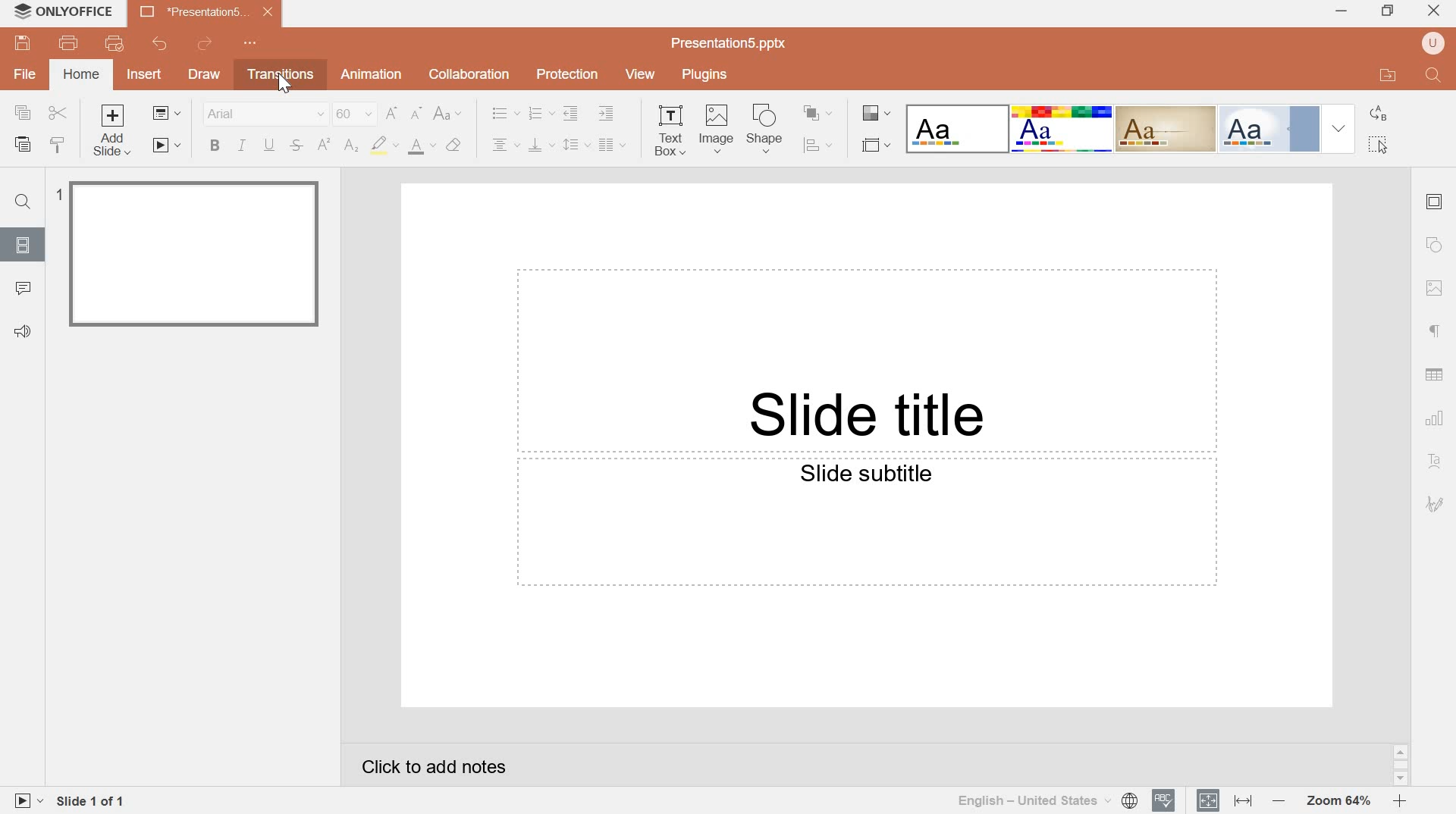  Describe the element at coordinates (277, 74) in the screenshot. I see `Transitions` at that location.